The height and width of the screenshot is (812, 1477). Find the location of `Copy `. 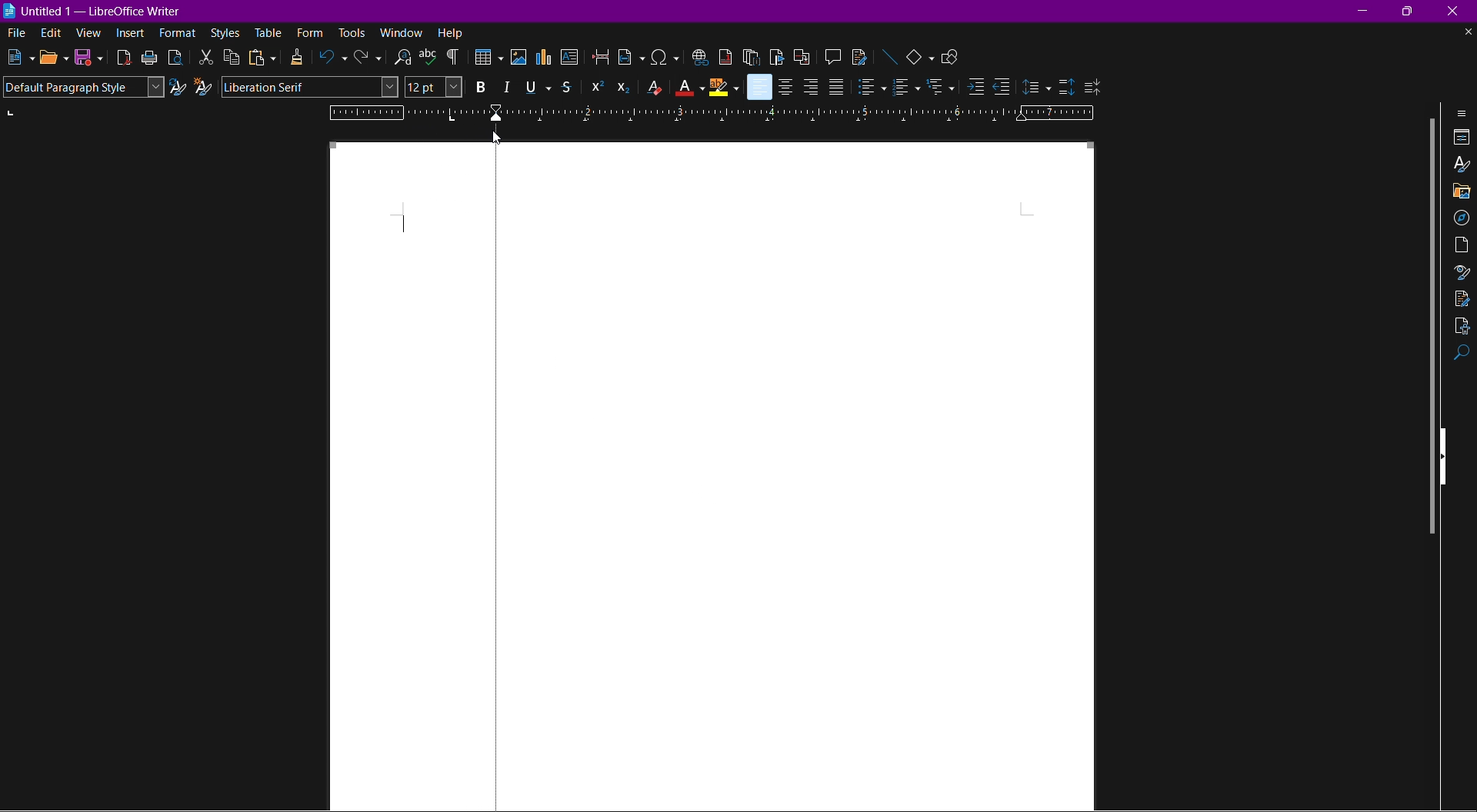

Copy  is located at coordinates (232, 58).